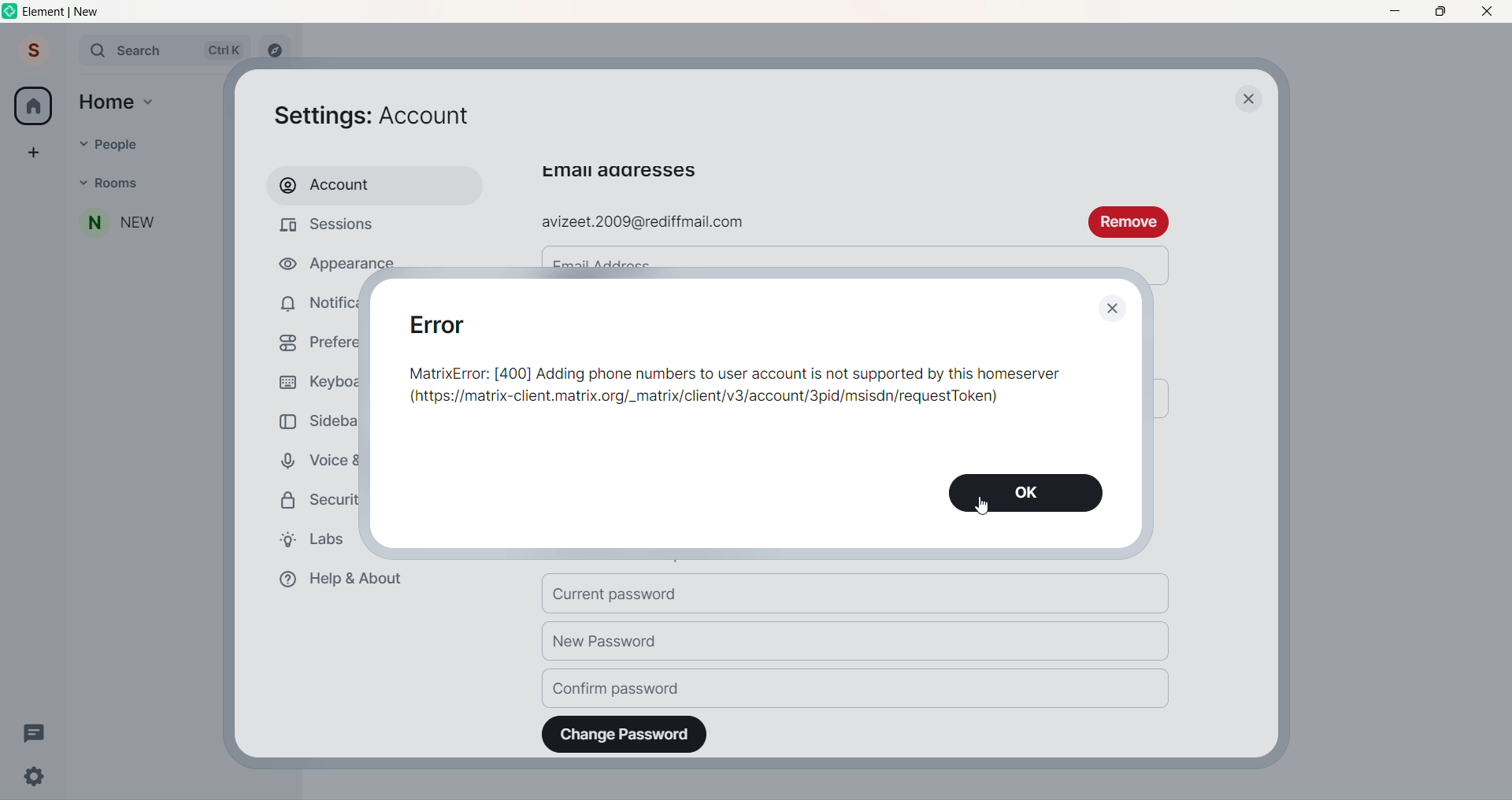 The width and height of the screenshot is (1512, 800). Describe the element at coordinates (309, 502) in the screenshot. I see `security` at that location.